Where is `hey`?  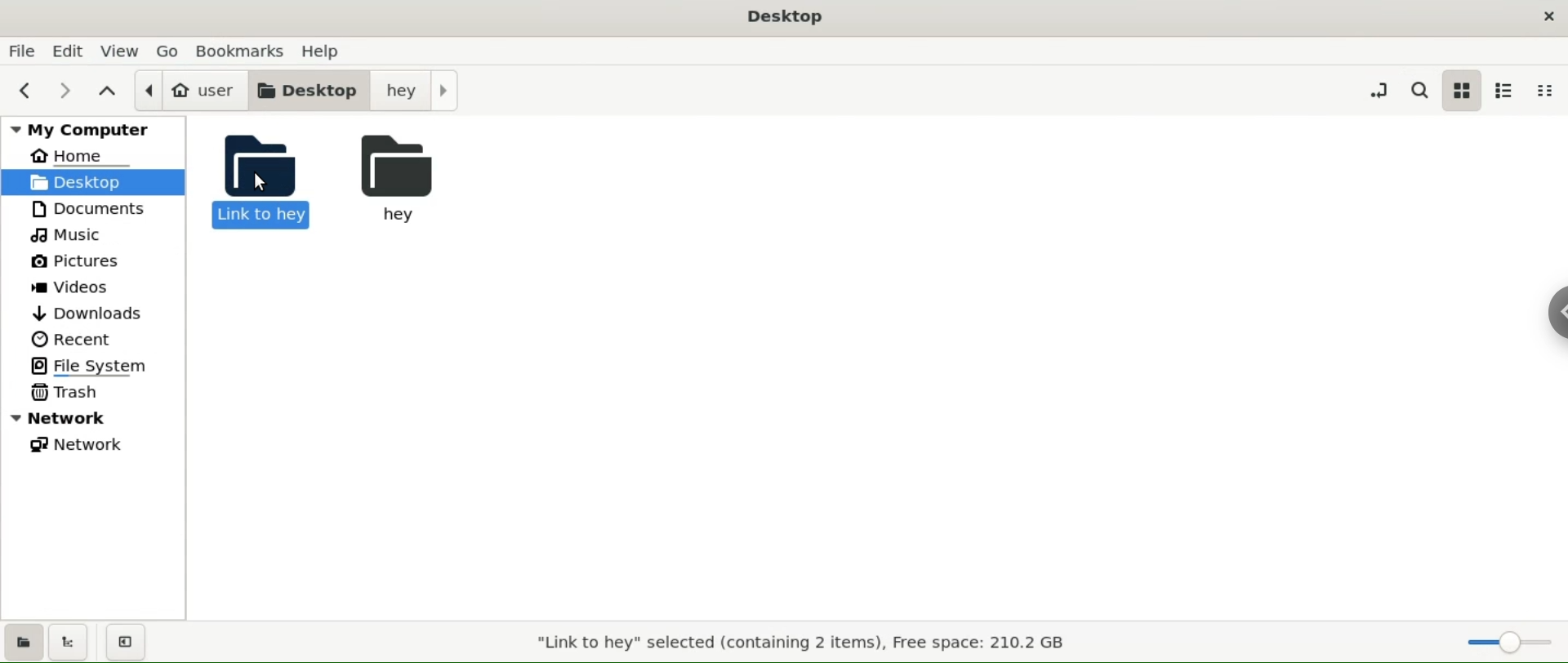 hey is located at coordinates (420, 180).